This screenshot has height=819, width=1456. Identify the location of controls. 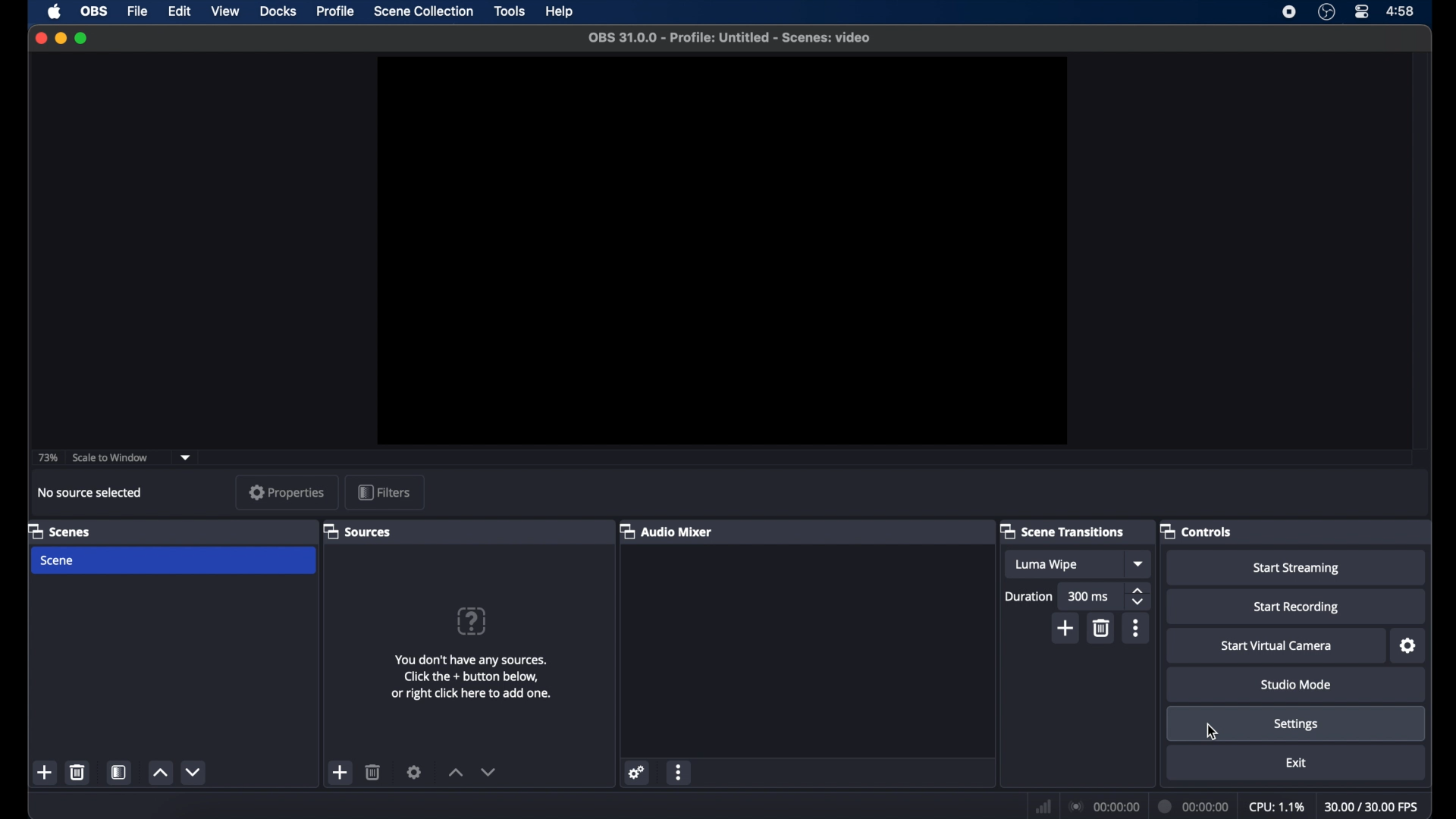
(1196, 532).